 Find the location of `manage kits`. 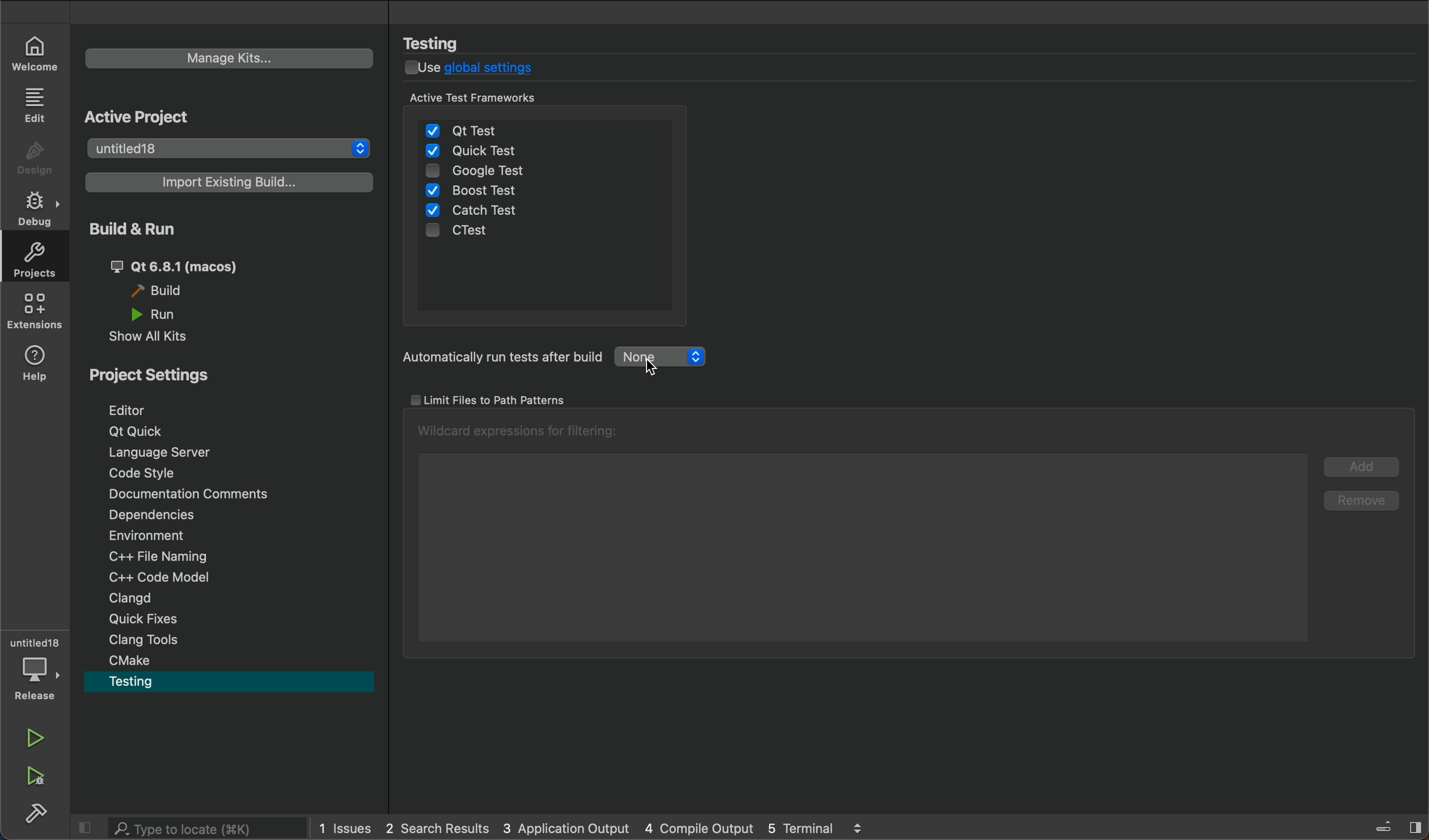

manage kits is located at coordinates (231, 58).